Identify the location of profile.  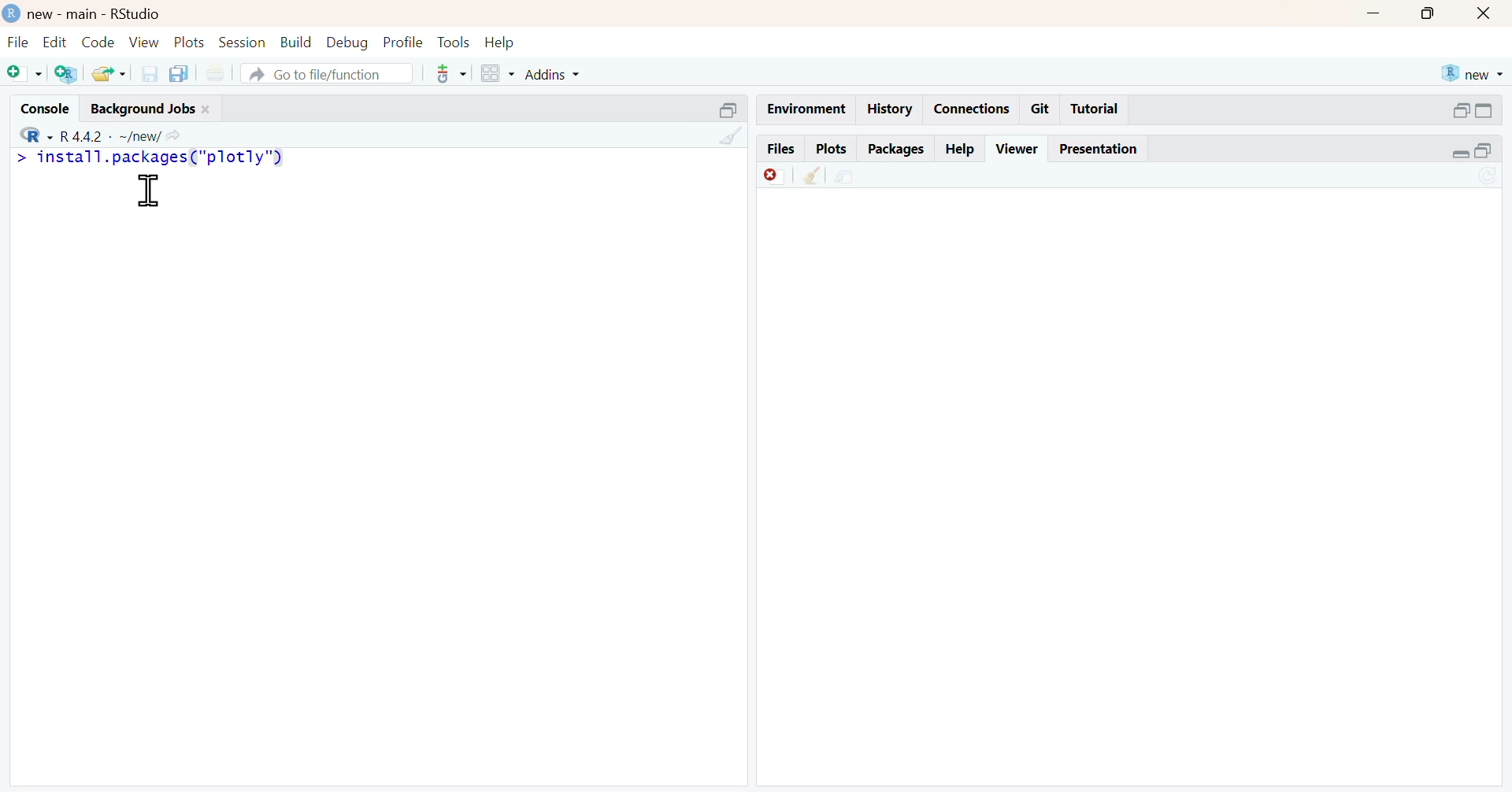
(401, 41).